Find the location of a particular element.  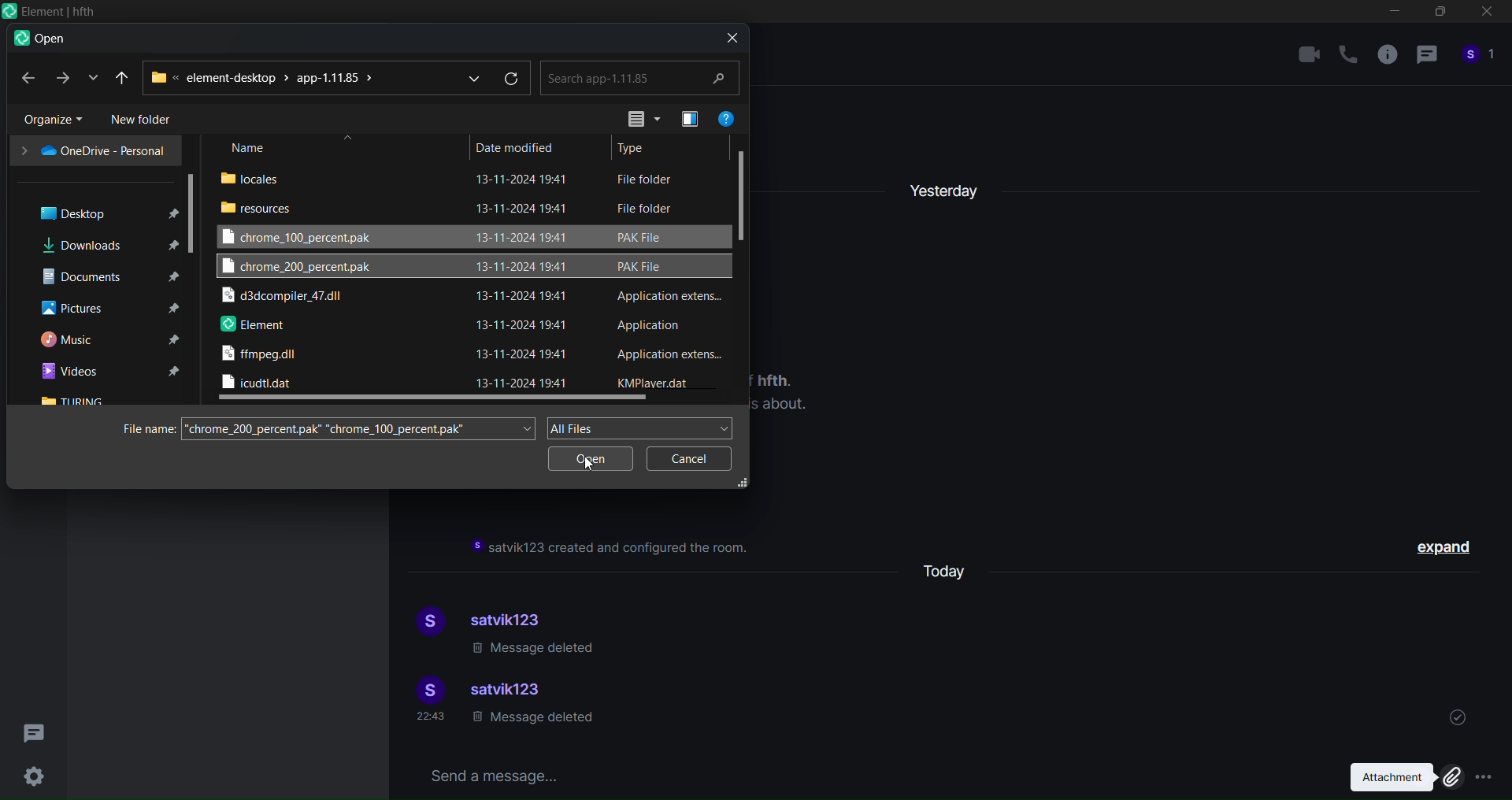

cancel is located at coordinates (687, 458).